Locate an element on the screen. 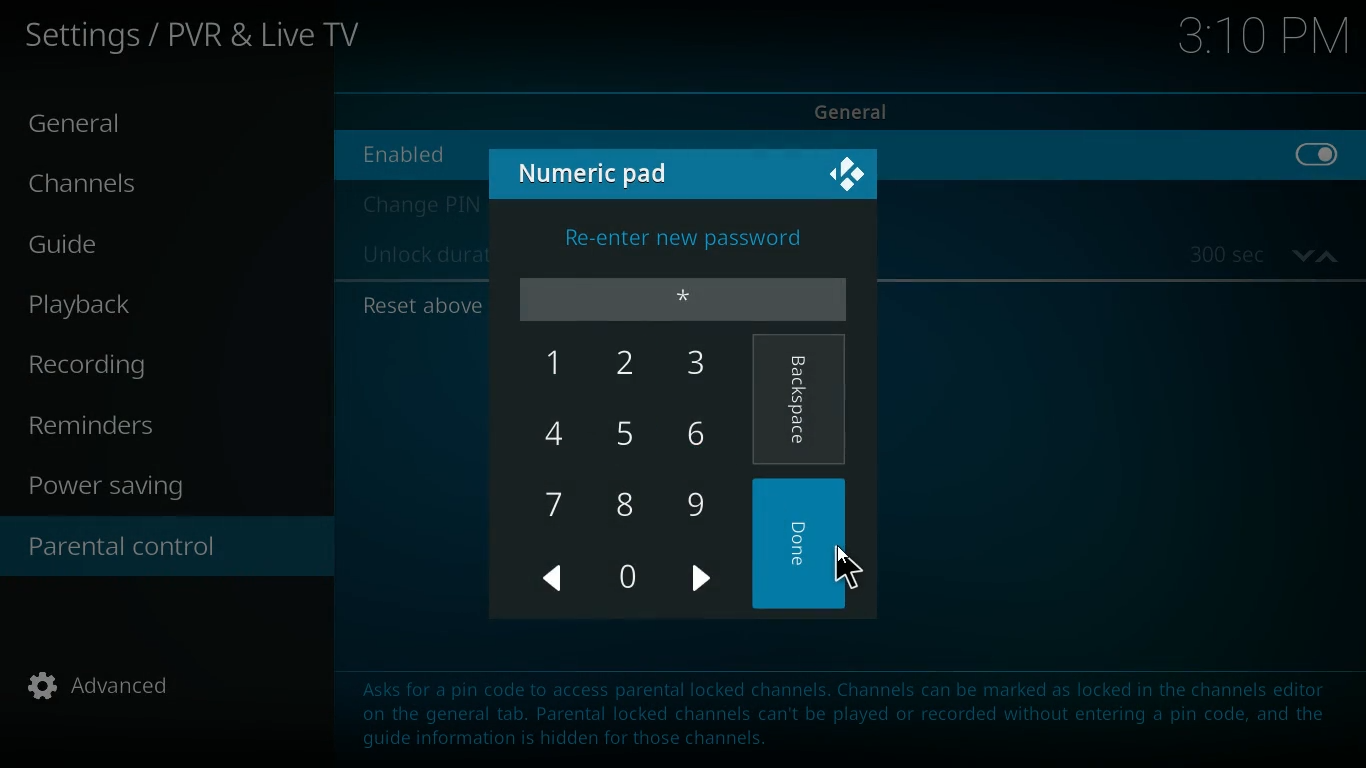  backspace is located at coordinates (801, 402).